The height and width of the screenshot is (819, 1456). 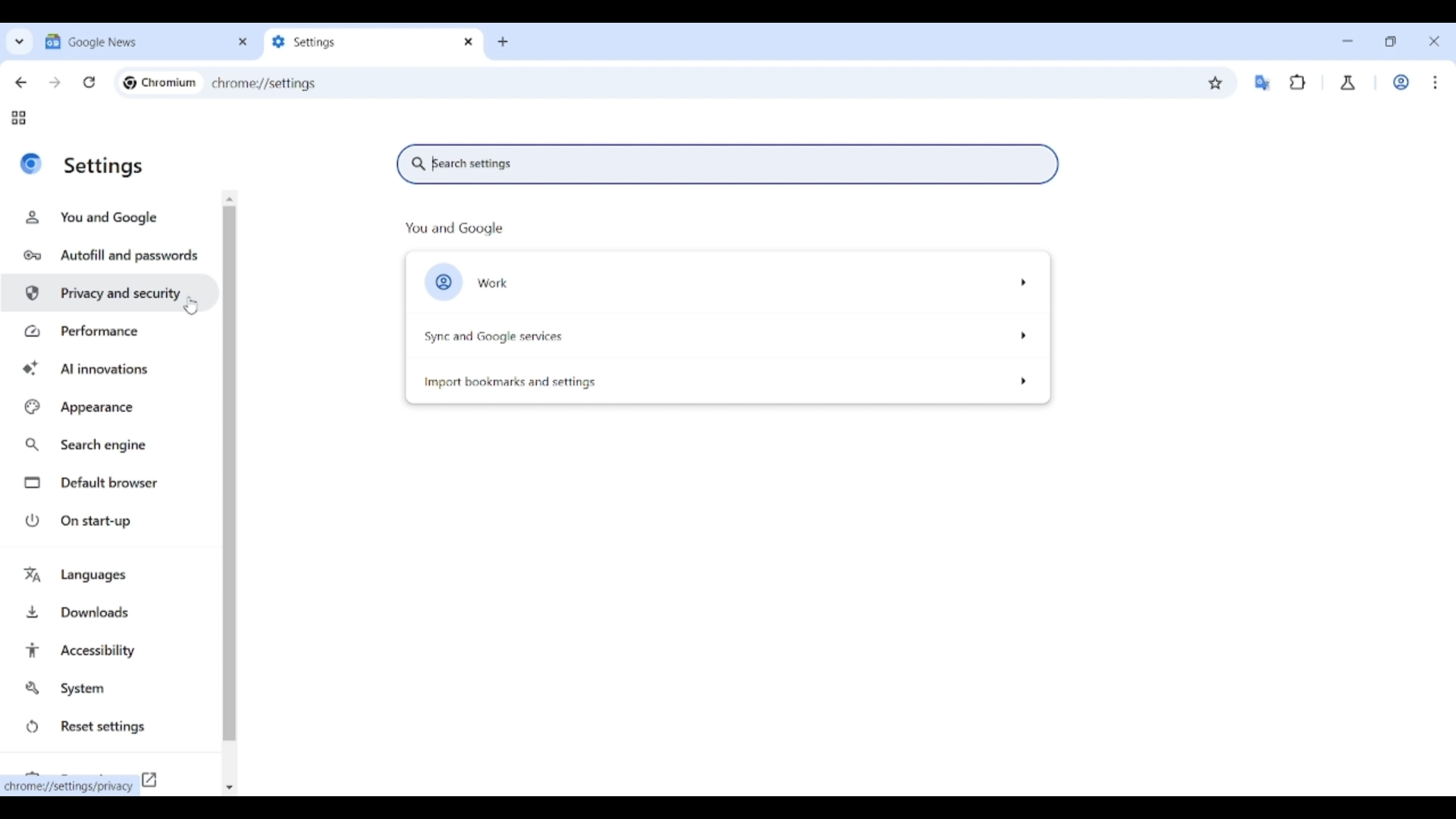 What do you see at coordinates (1401, 82) in the screenshot?
I see `Work` at bounding box center [1401, 82].